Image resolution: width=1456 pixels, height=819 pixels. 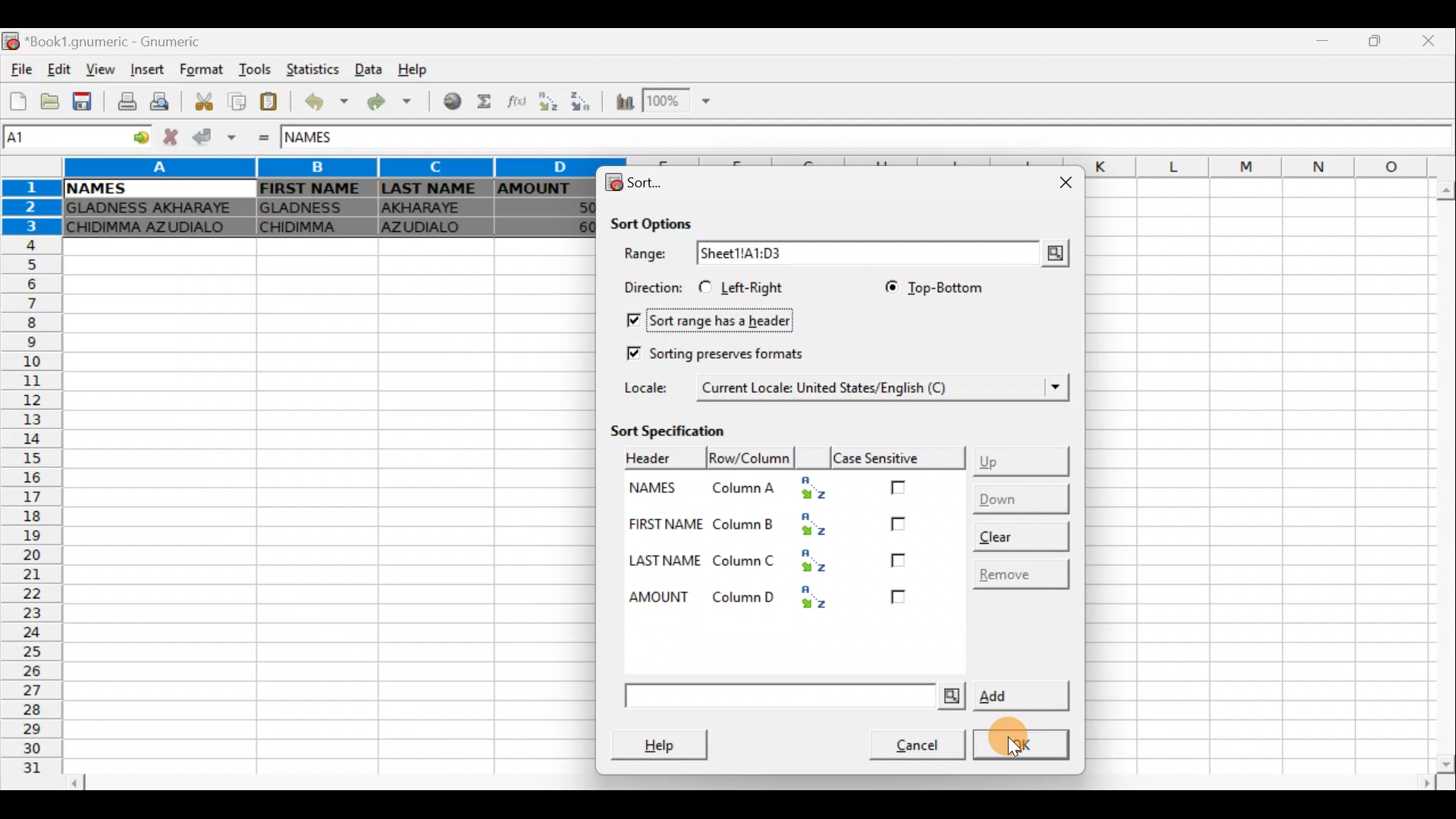 I want to click on NAMES, so click(x=660, y=492).